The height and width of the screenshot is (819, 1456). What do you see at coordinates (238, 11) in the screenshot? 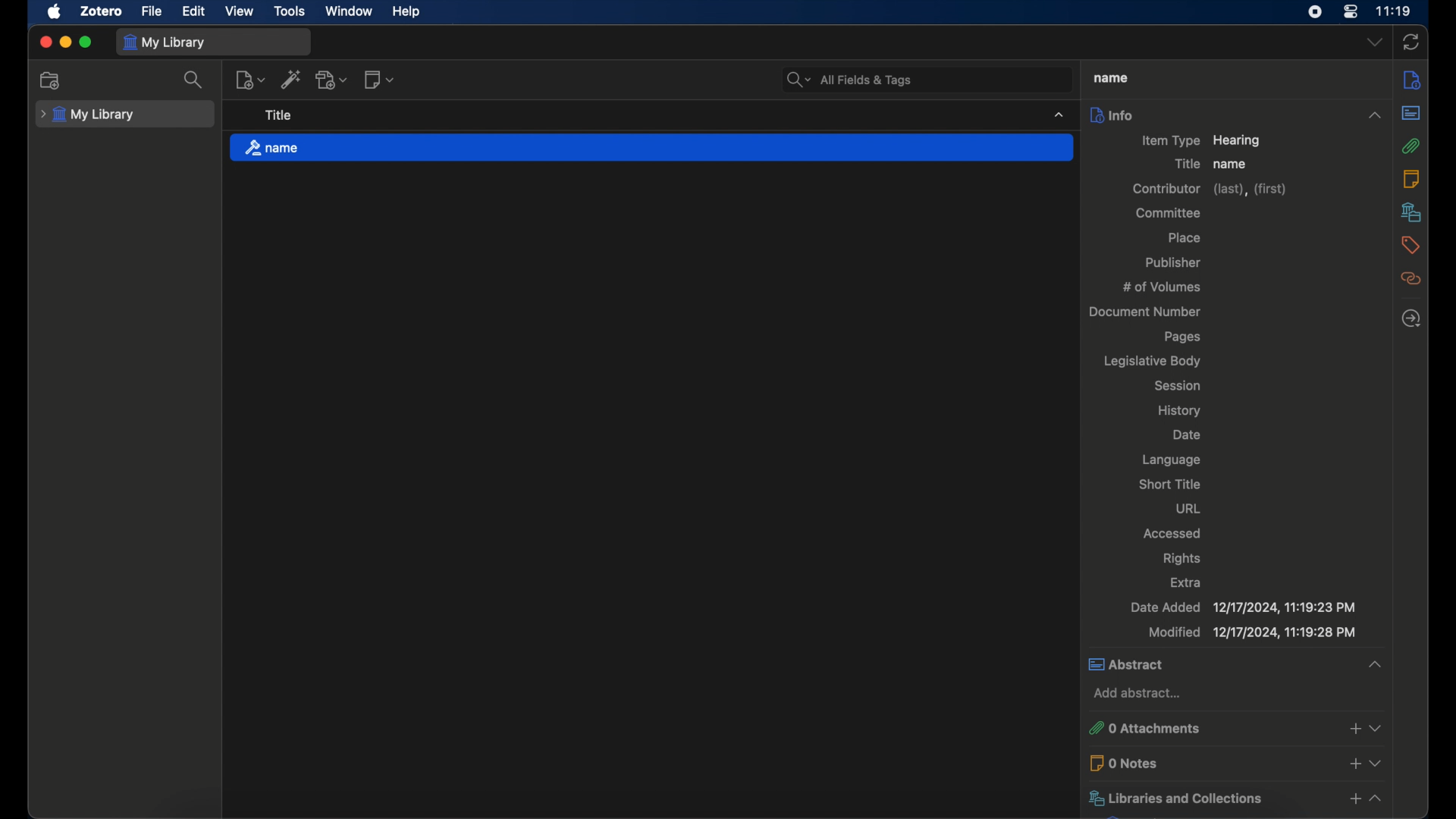
I see `view` at bounding box center [238, 11].